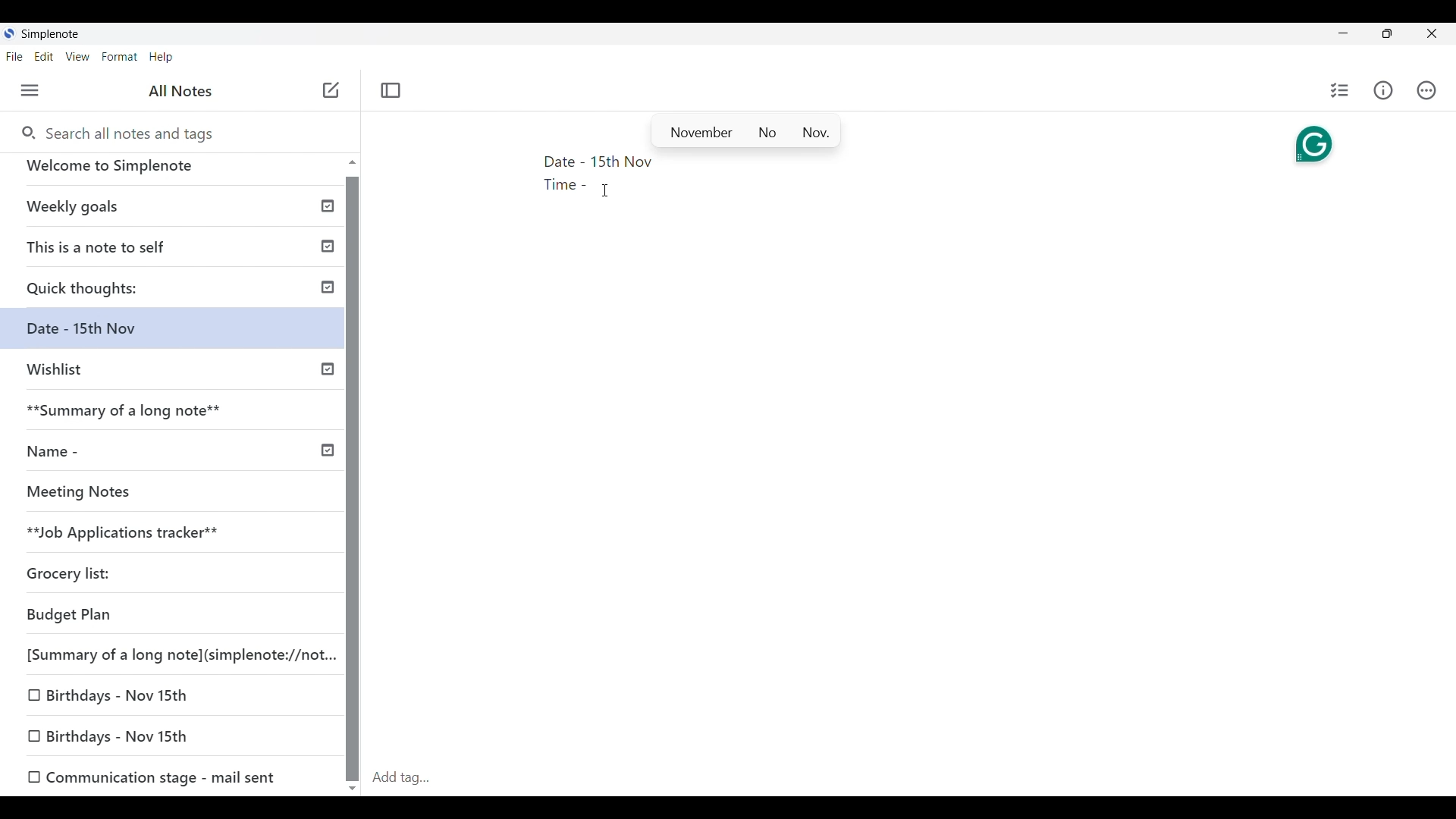 The height and width of the screenshot is (819, 1456). What do you see at coordinates (352, 479) in the screenshot?
I see `Vertical slide bar for left panel` at bounding box center [352, 479].